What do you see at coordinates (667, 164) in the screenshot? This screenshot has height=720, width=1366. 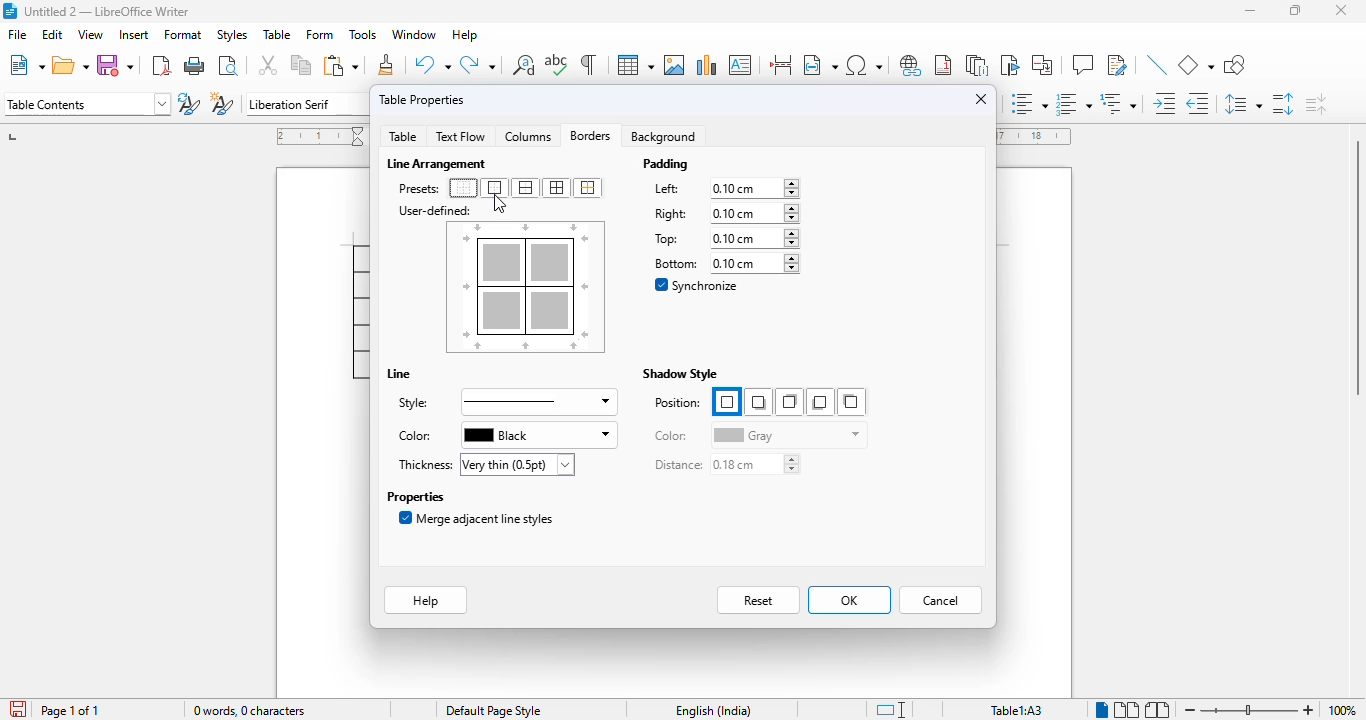 I see `padding` at bounding box center [667, 164].